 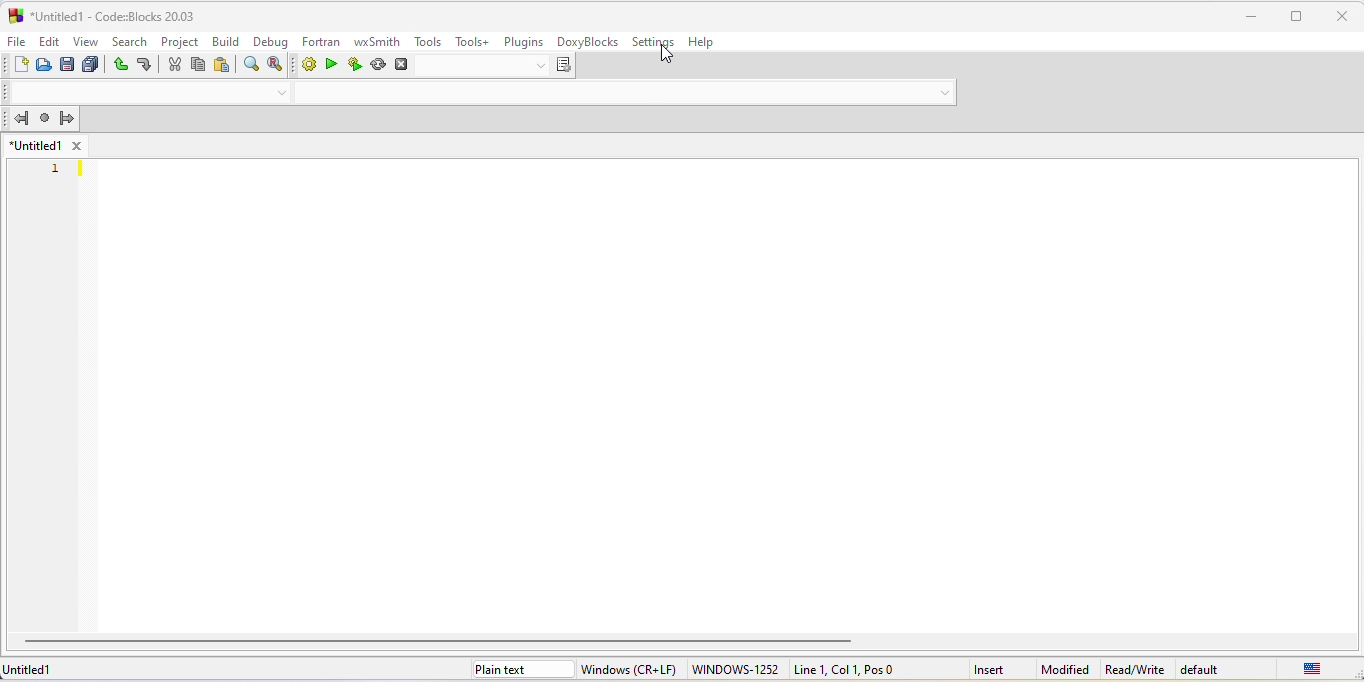 What do you see at coordinates (75, 145) in the screenshot?
I see `close` at bounding box center [75, 145].